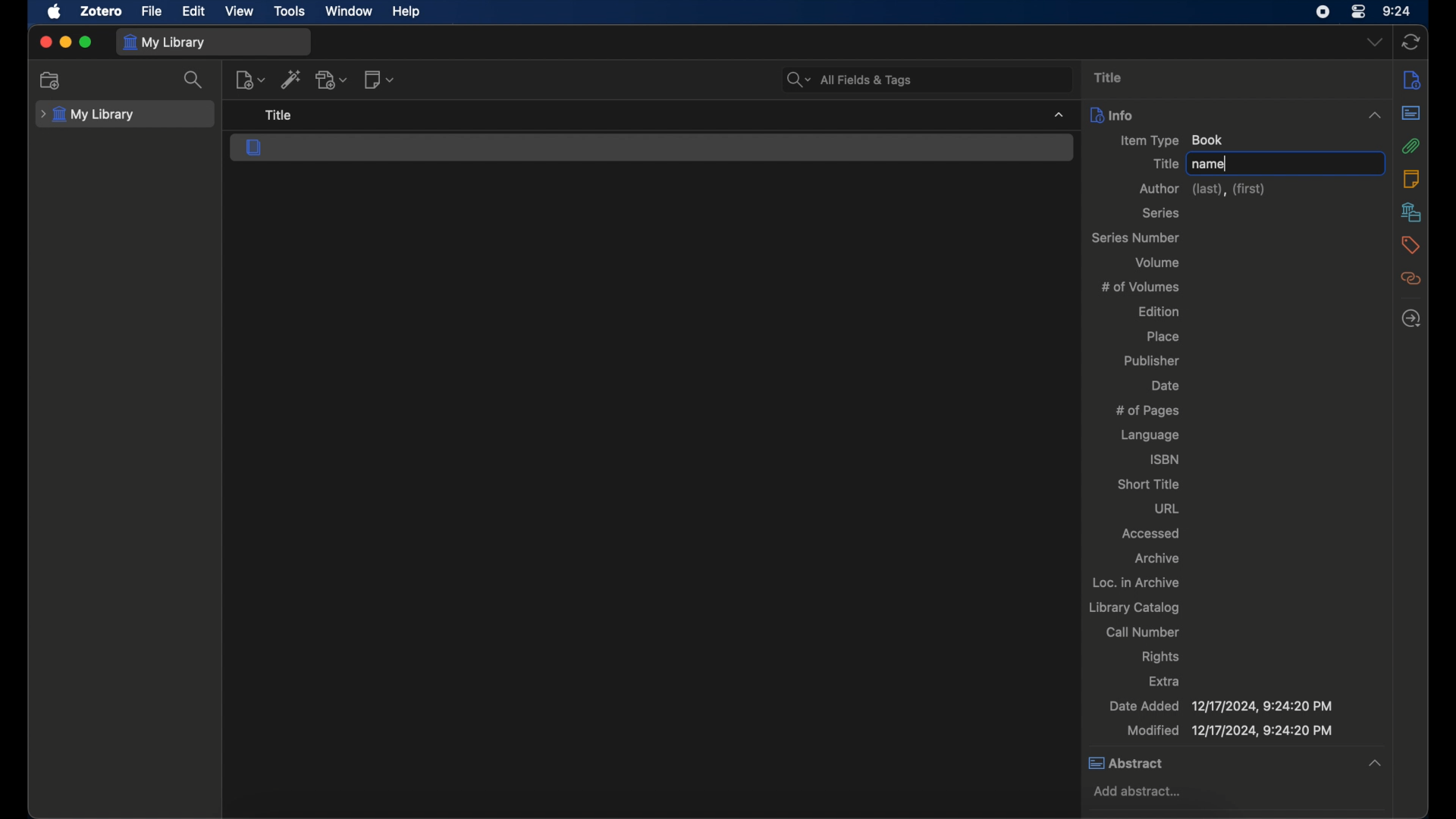  Describe the element at coordinates (55, 12) in the screenshot. I see `apple icon` at that location.